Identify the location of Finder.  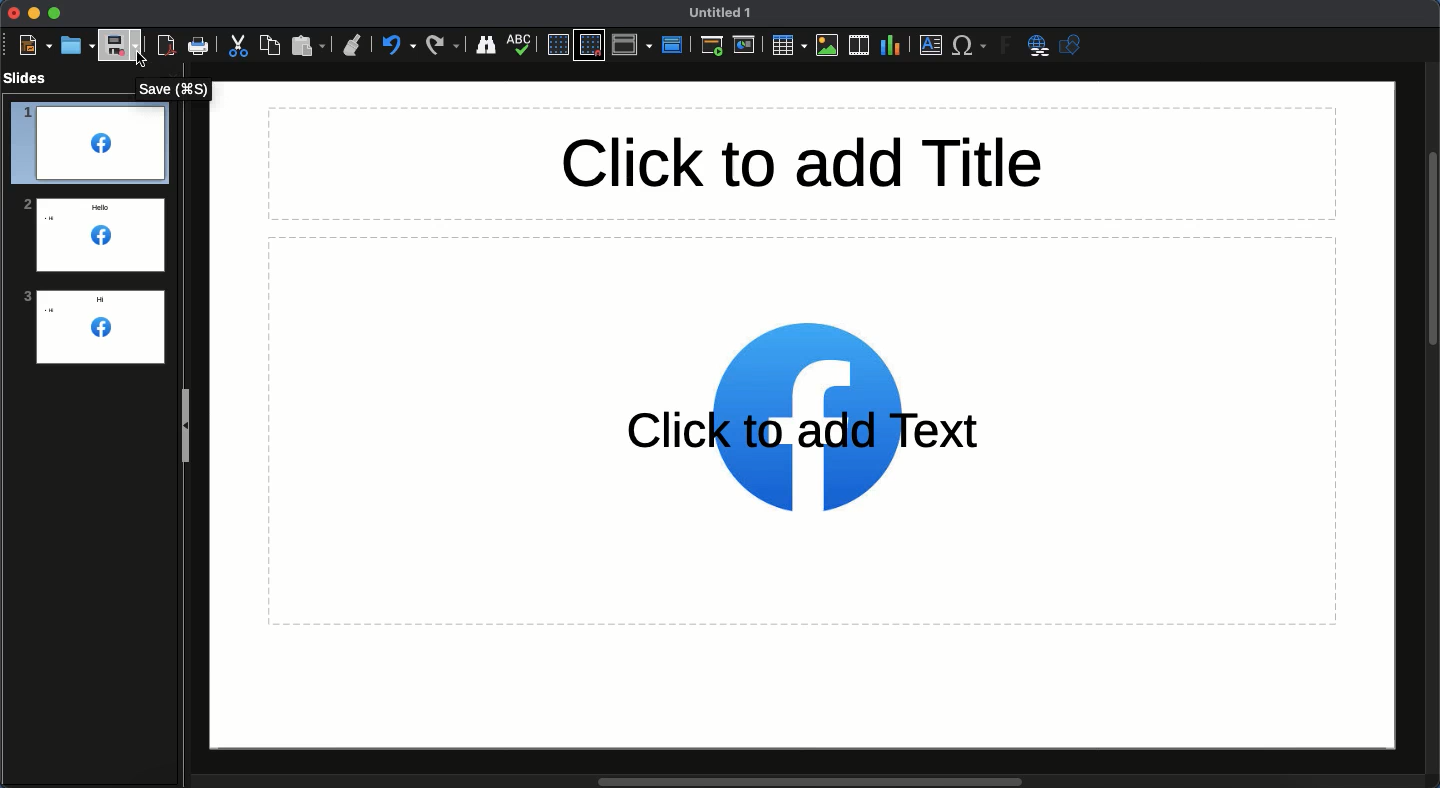
(485, 44).